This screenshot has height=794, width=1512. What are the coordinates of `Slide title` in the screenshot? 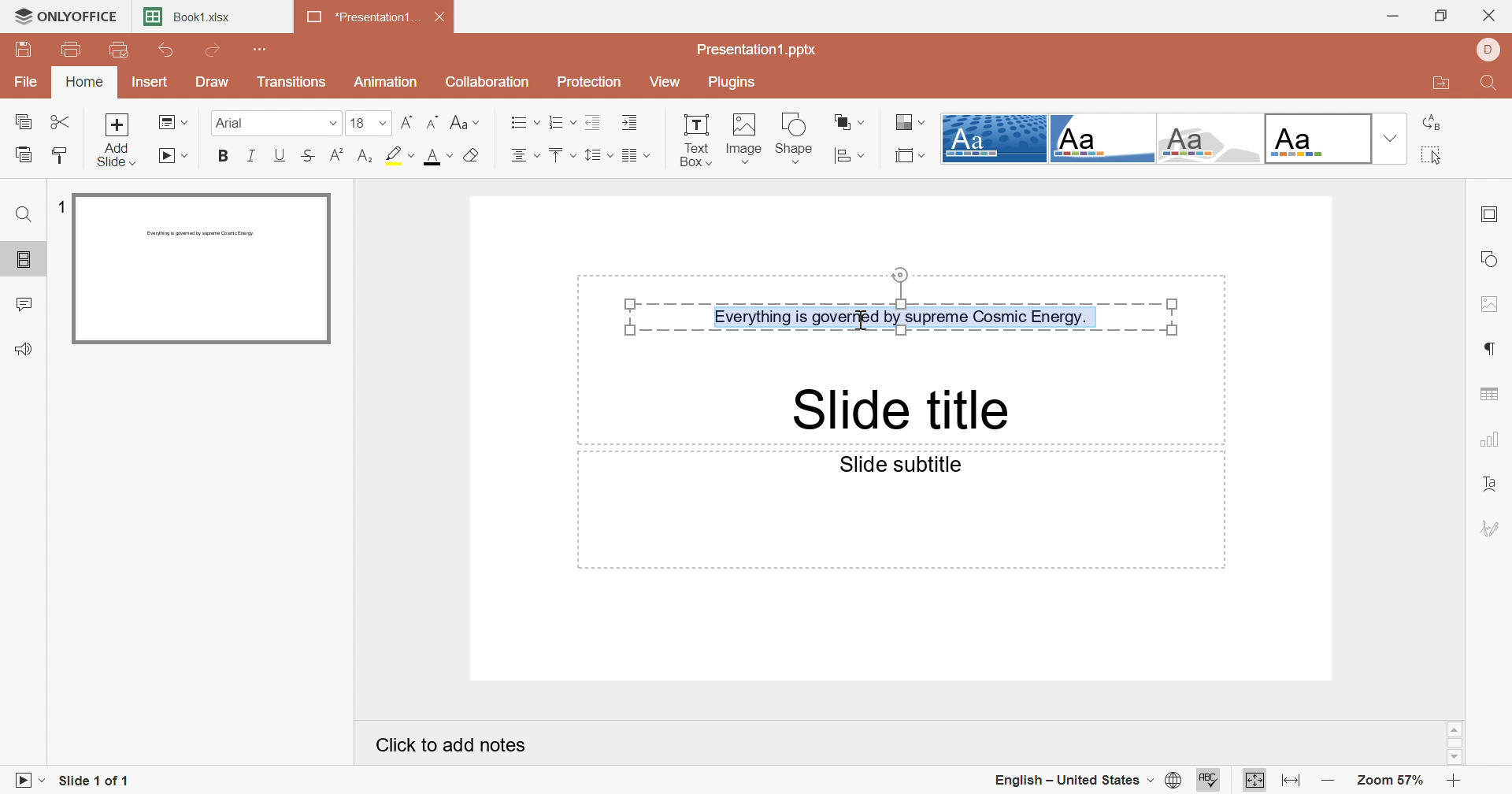 It's located at (893, 412).